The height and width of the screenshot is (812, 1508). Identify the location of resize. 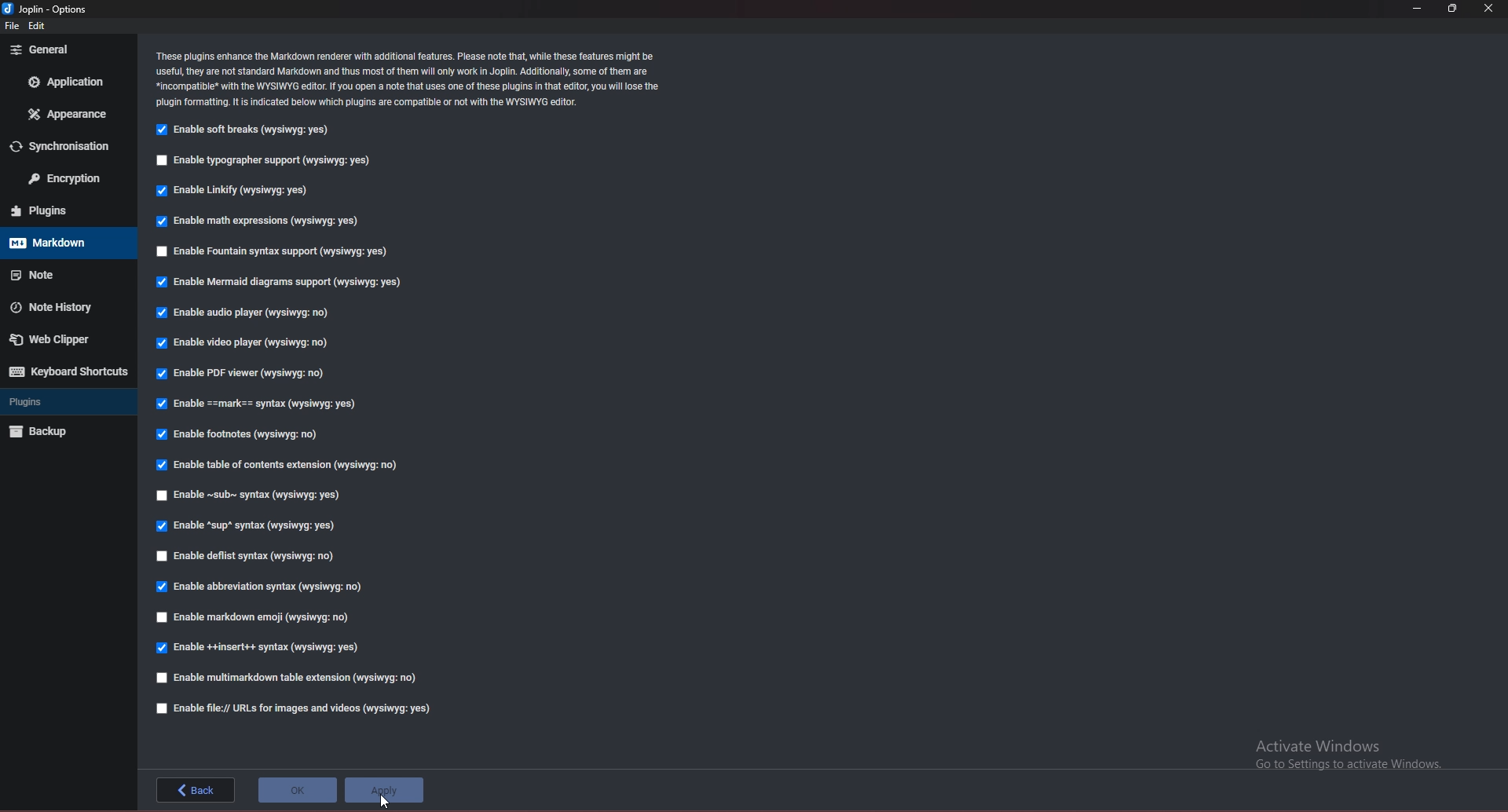
(1453, 9).